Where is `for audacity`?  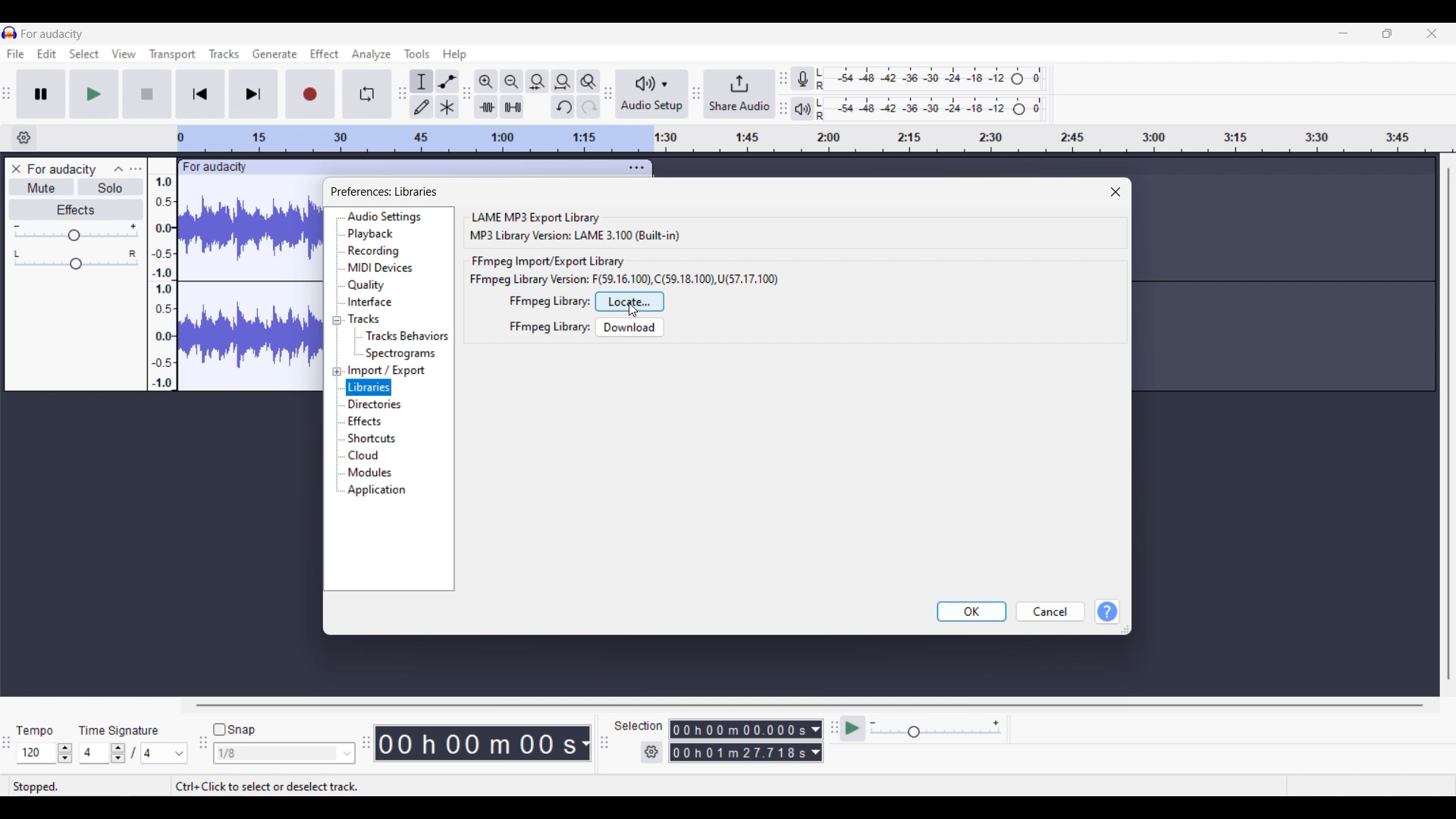
for audacity is located at coordinates (216, 168).